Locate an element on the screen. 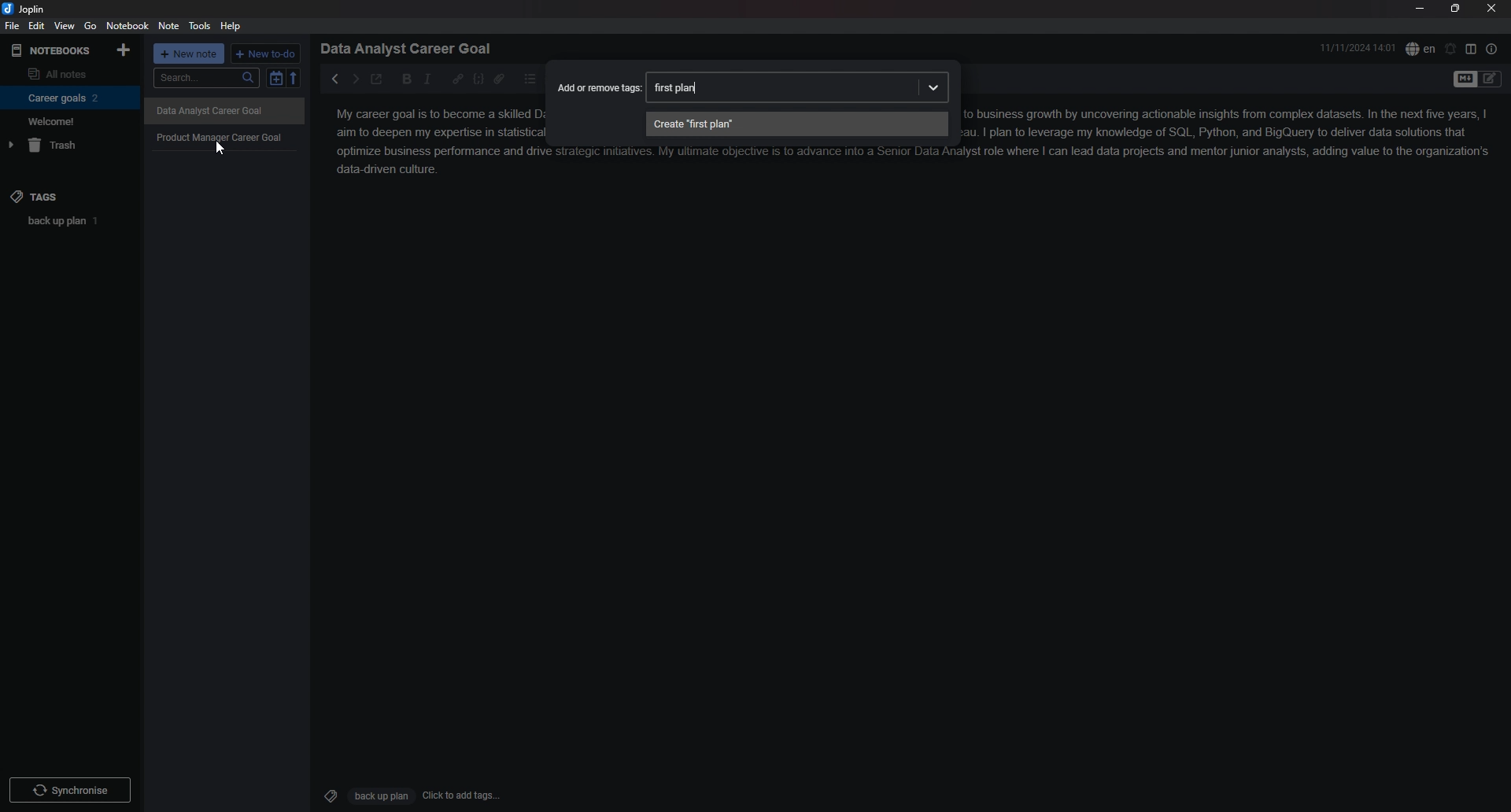  toggle editor layout is located at coordinates (1471, 48).